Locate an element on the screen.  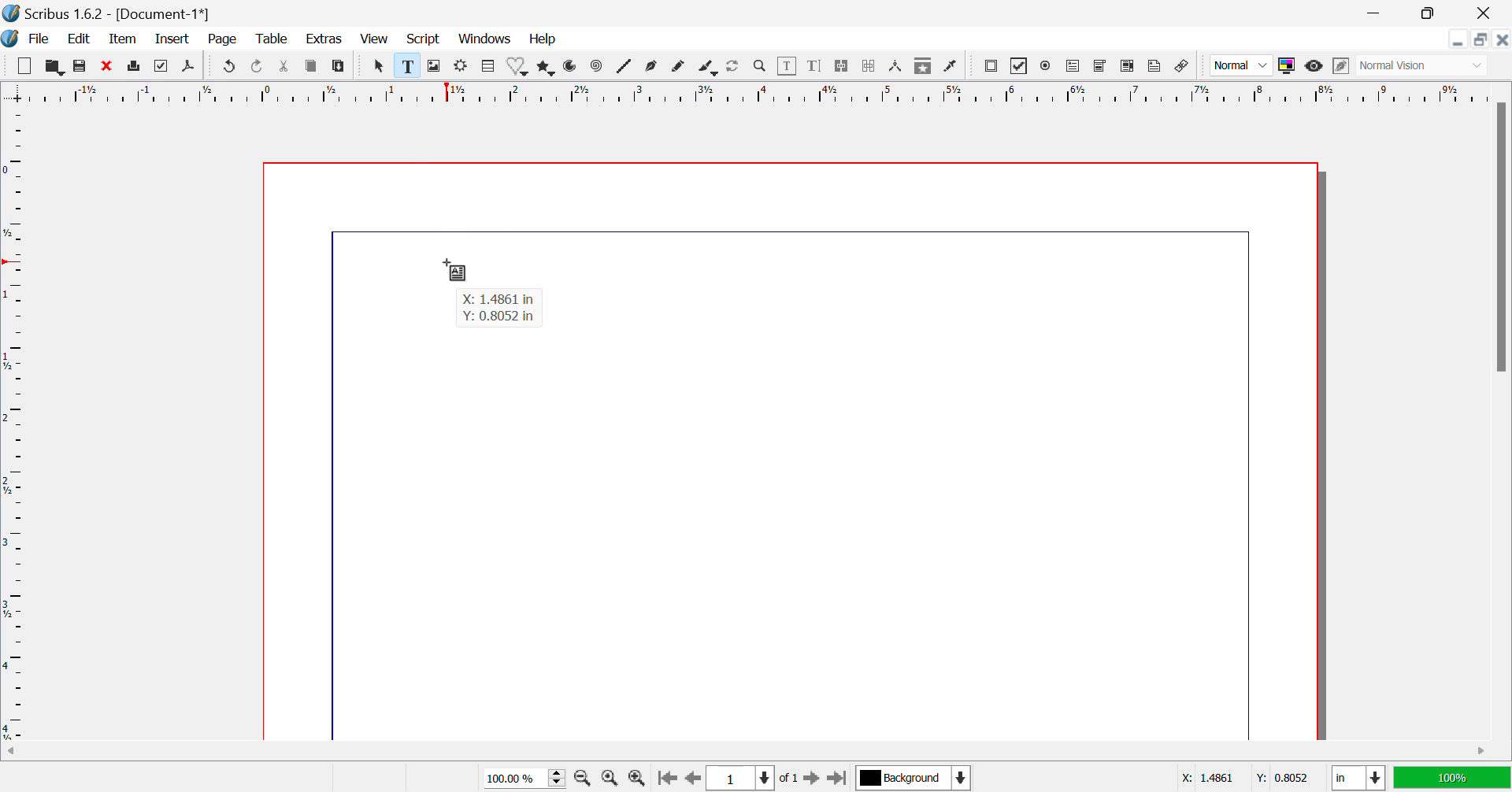
Pdf Push button is located at coordinates (991, 68).